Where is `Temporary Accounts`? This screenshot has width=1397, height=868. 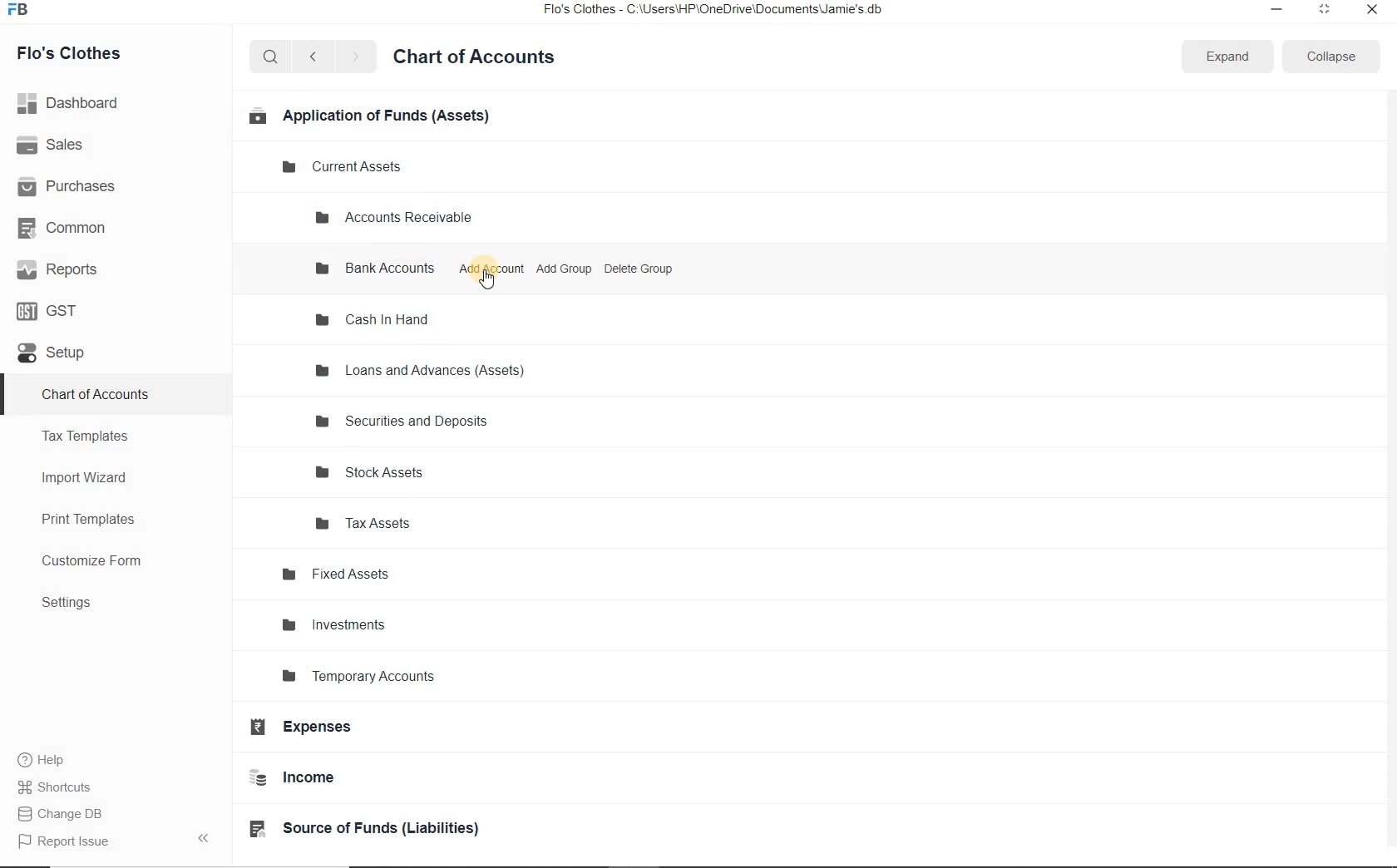 Temporary Accounts is located at coordinates (399, 678).